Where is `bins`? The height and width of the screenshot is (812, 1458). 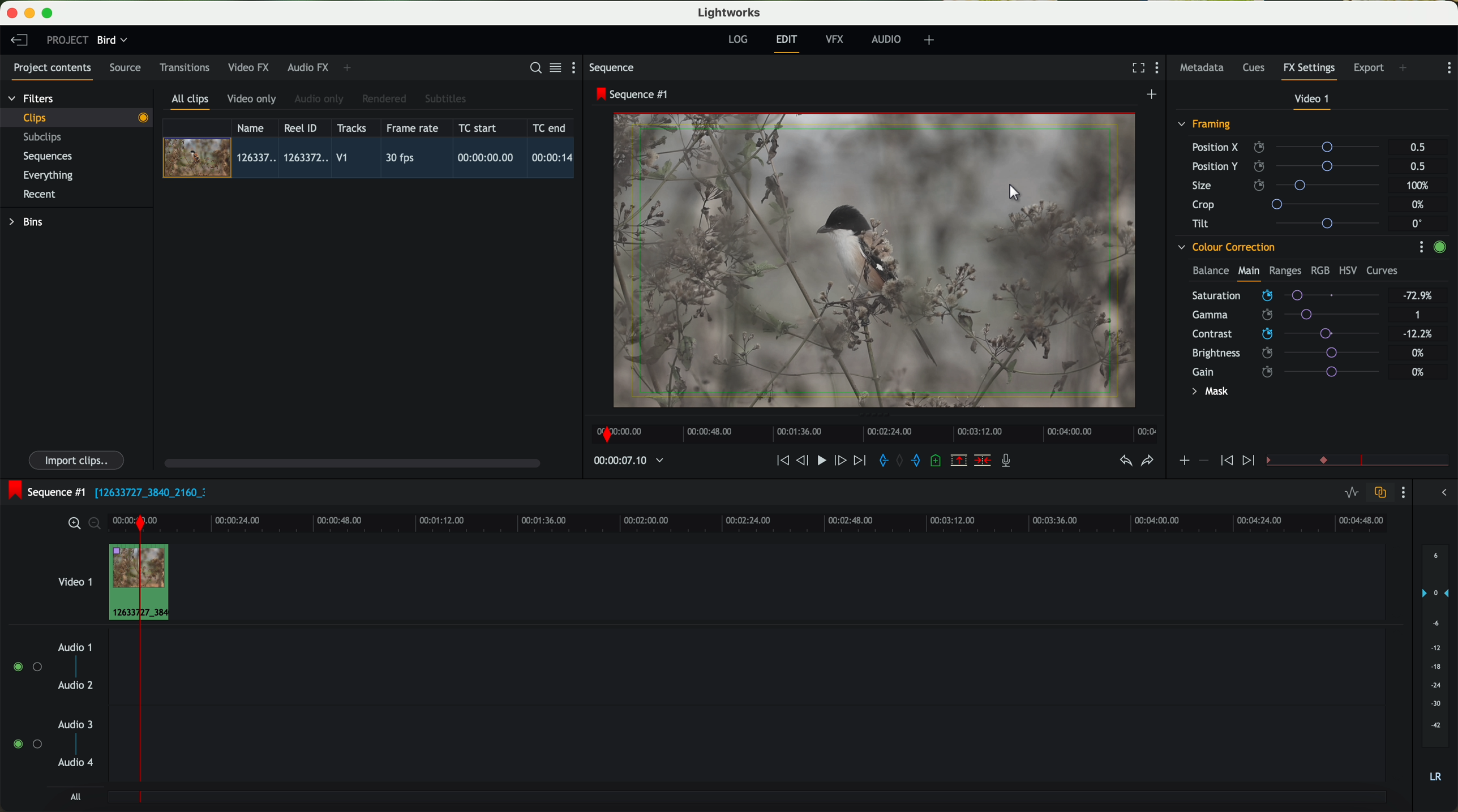
bins is located at coordinates (28, 222).